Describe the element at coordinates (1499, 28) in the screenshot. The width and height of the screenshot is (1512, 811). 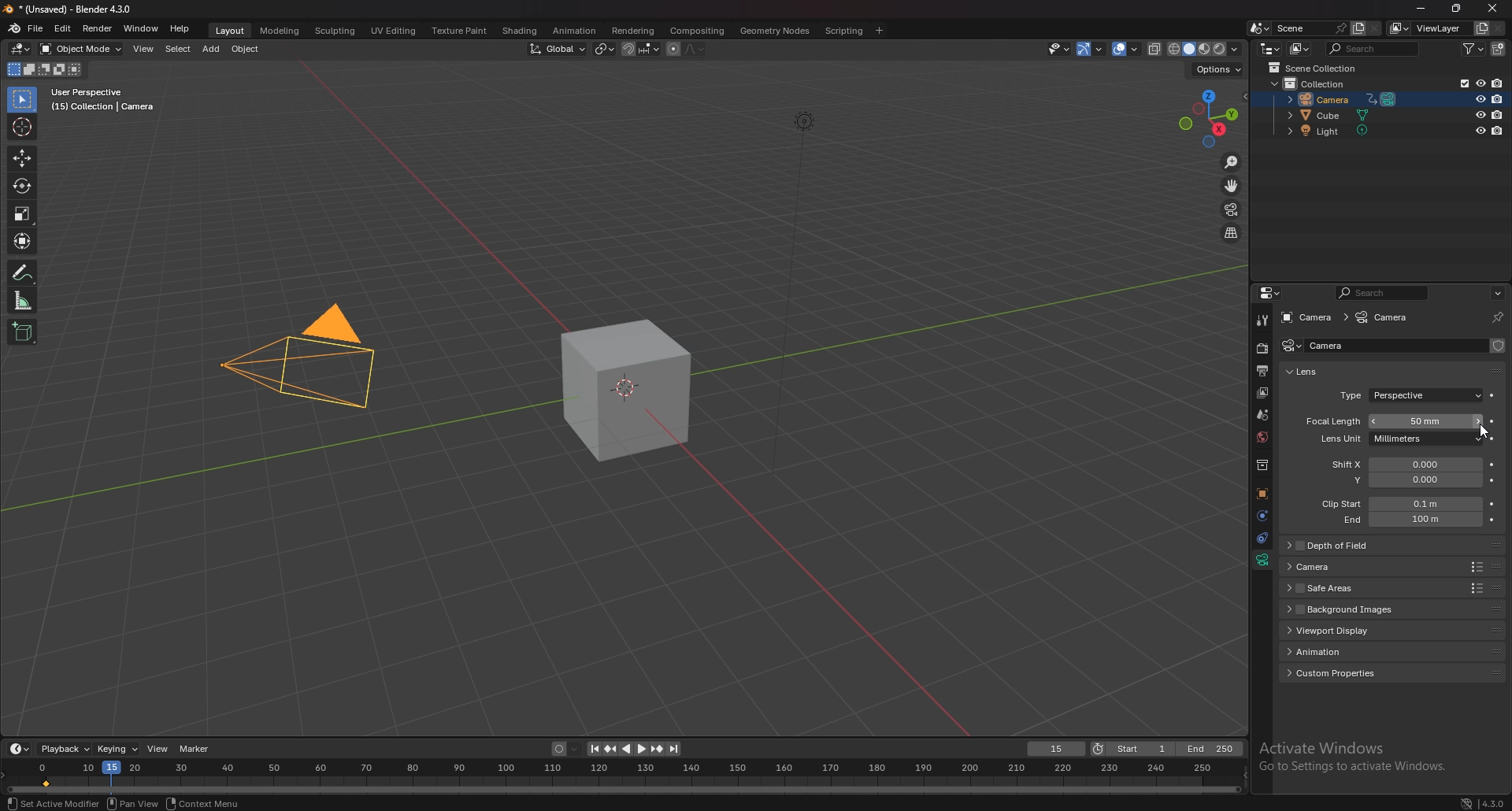
I see `remove viewlayer` at that location.